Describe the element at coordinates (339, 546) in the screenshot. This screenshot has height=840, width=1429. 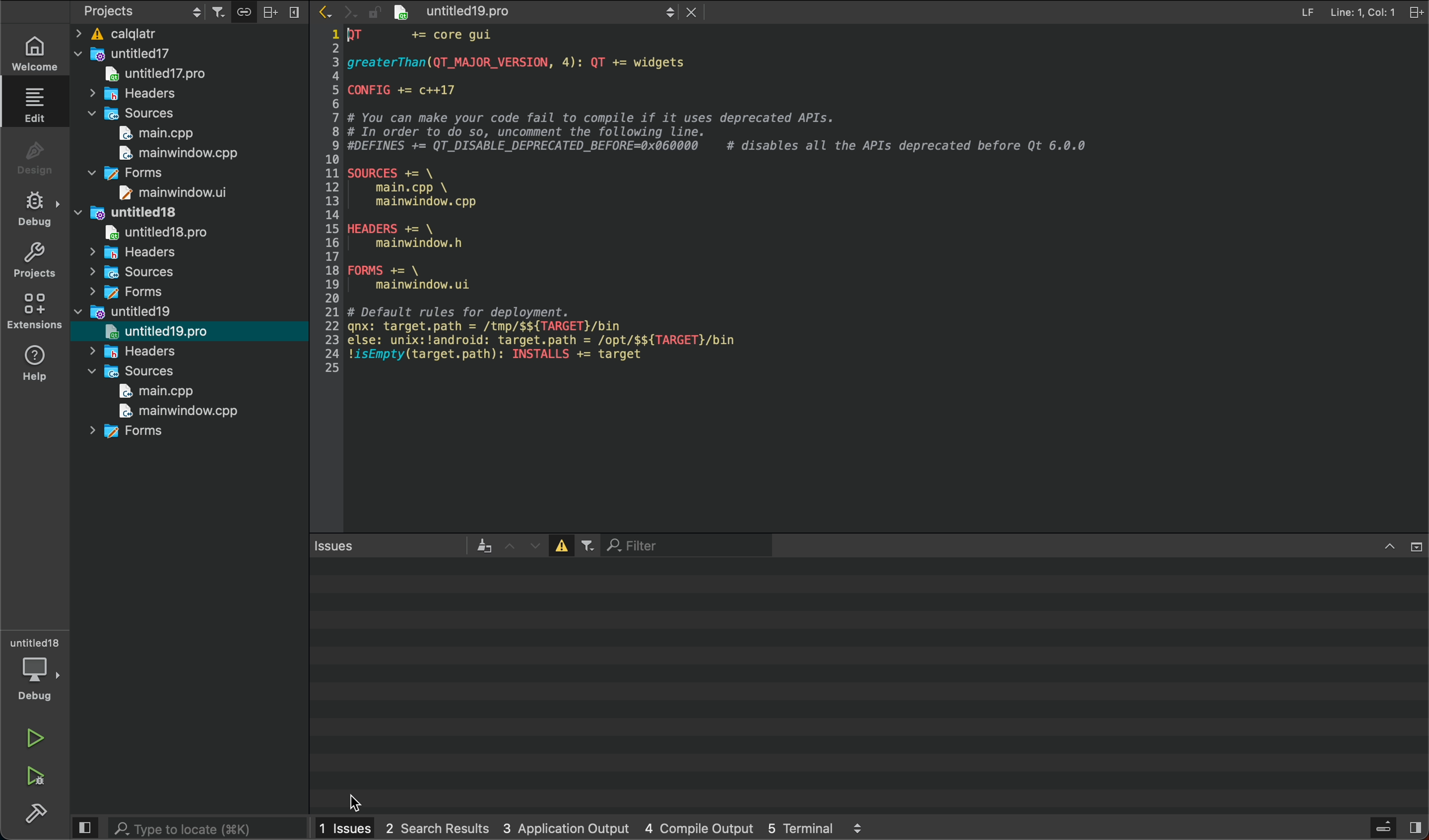
I see `Issues` at that location.